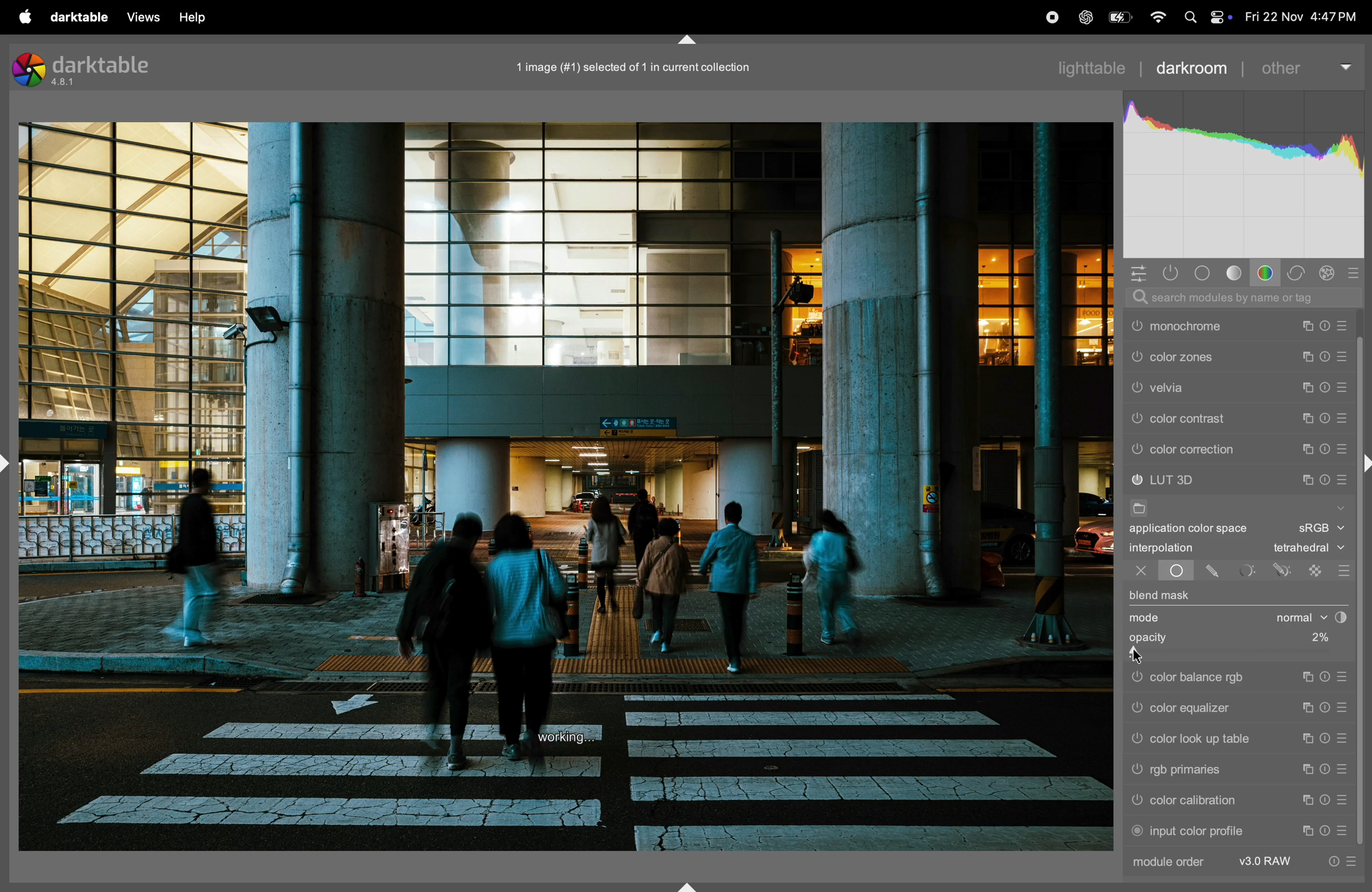  What do you see at coordinates (1328, 802) in the screenshot?
I see `reset` at bounding box center [1328, 802].